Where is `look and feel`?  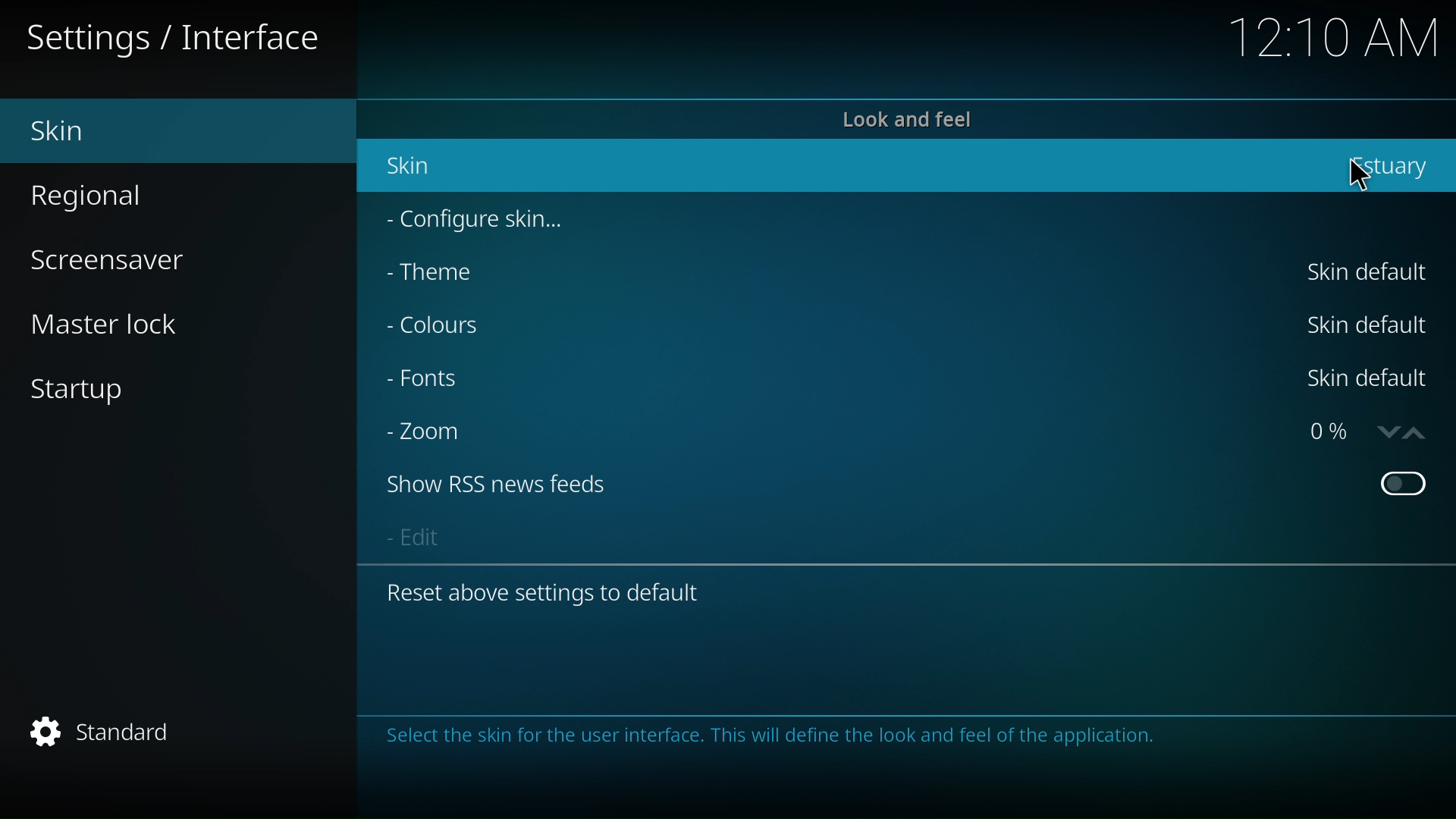 look and feel is located at coordinates (920, 121).